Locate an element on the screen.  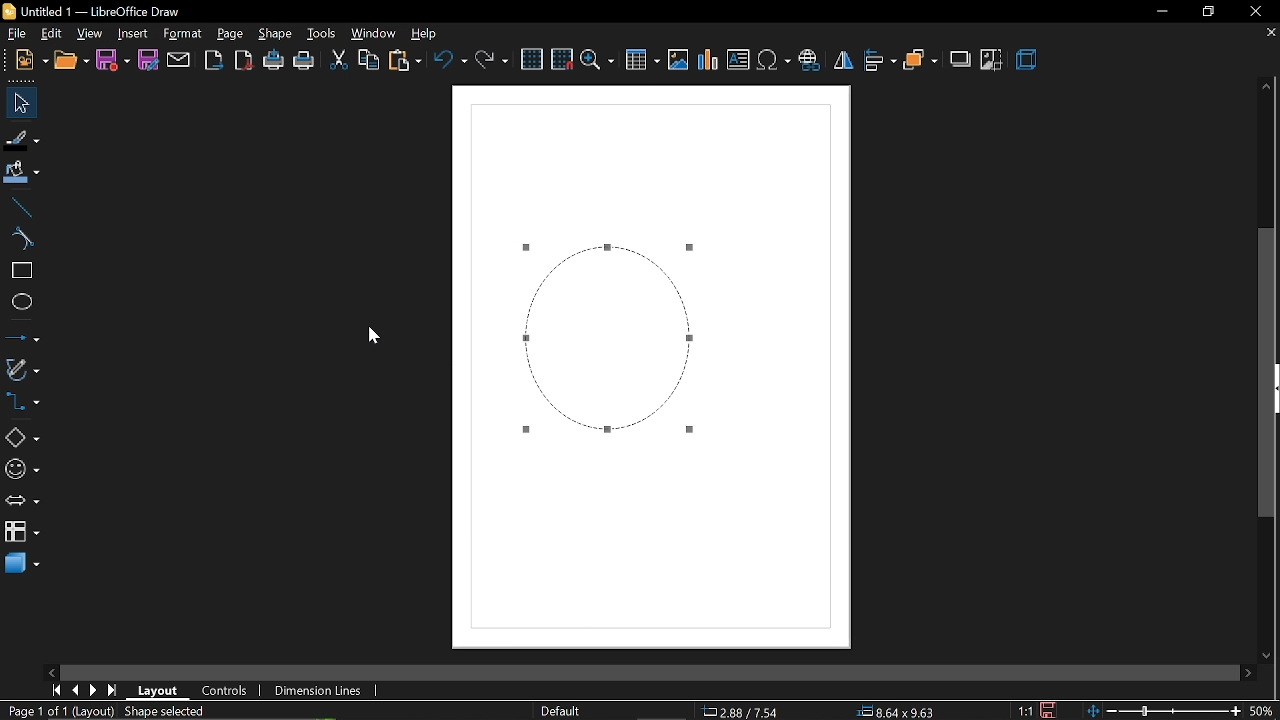
arrows is located at coordinates (22, 501).